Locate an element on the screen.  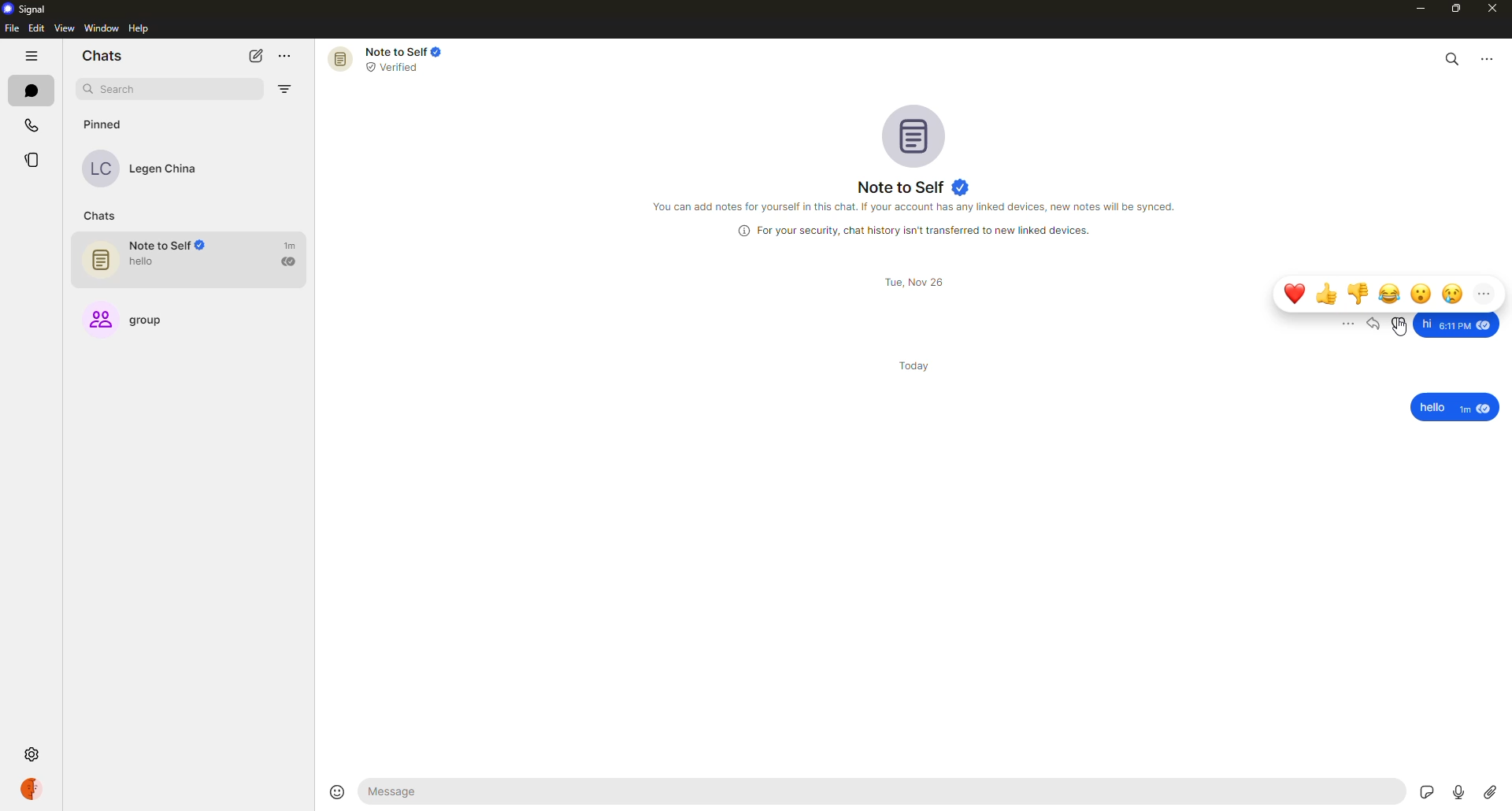
search is located at coordinates (1453, 56).